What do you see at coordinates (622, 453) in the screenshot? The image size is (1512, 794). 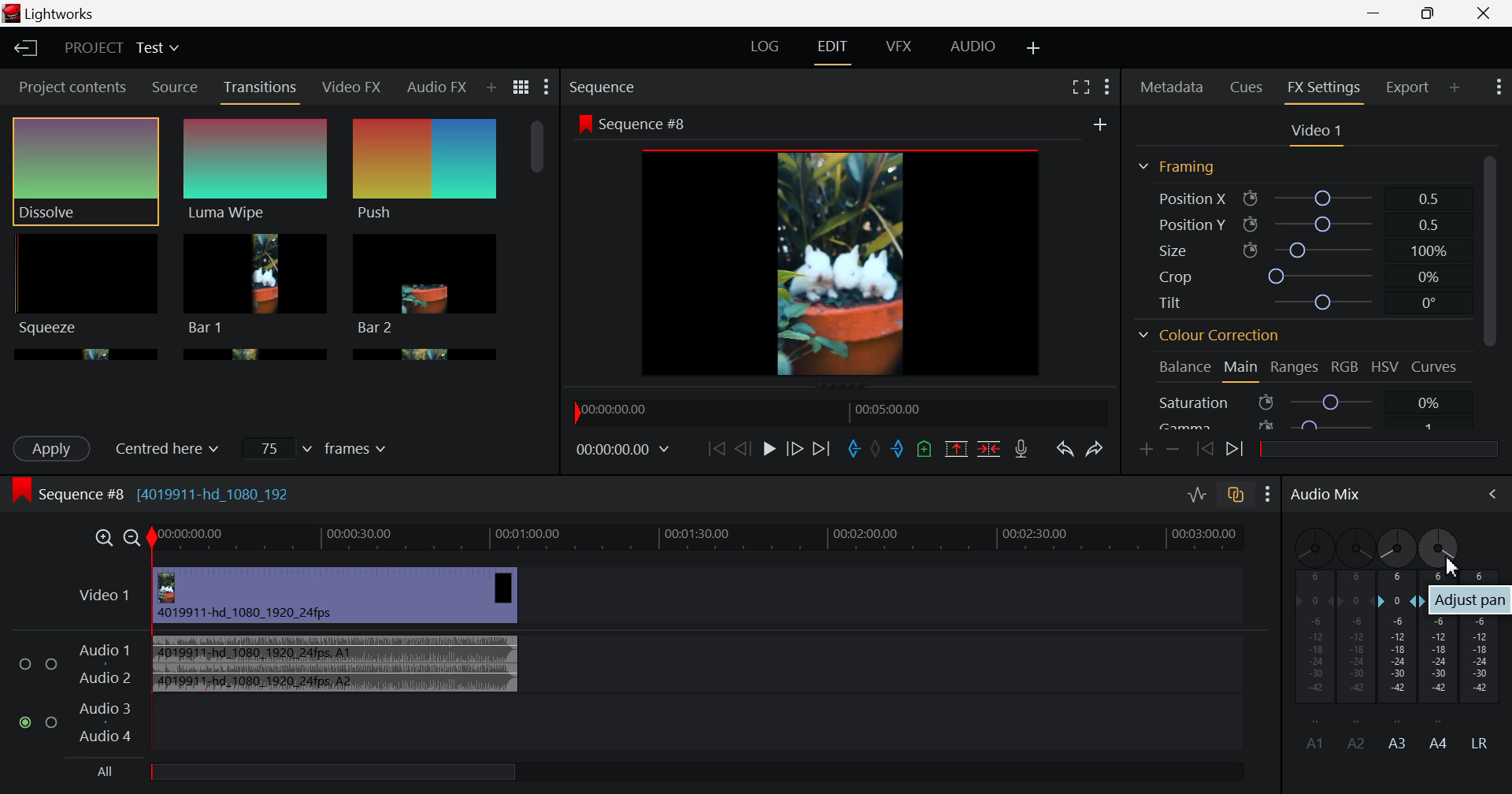 I see `Frame Time` at bounding box center [622, 453].